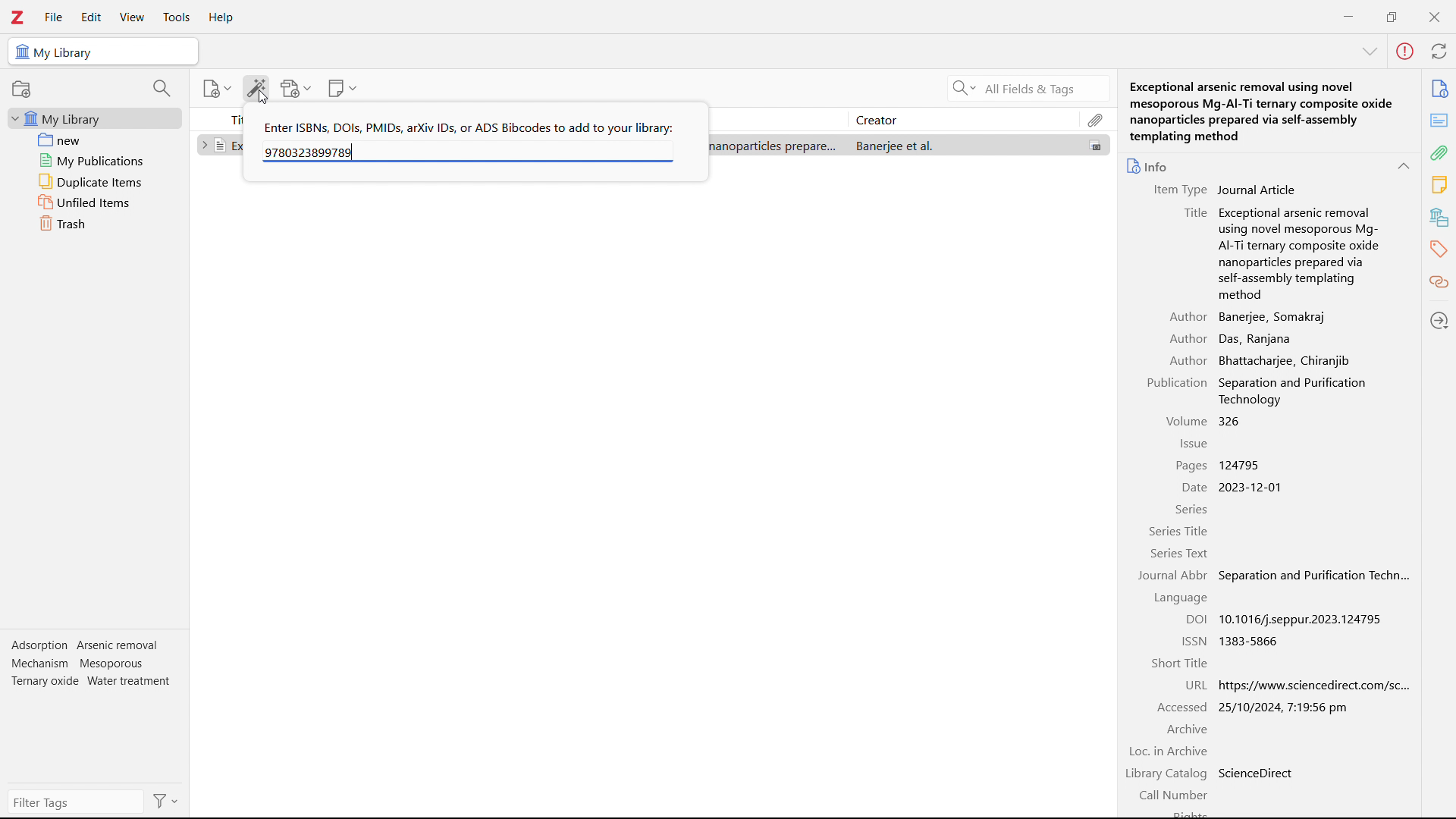 The width and height of the screenshot is (1456, 819). I want to click on 10.1016/j.seppur.2023.124795, so click(1303, 619).